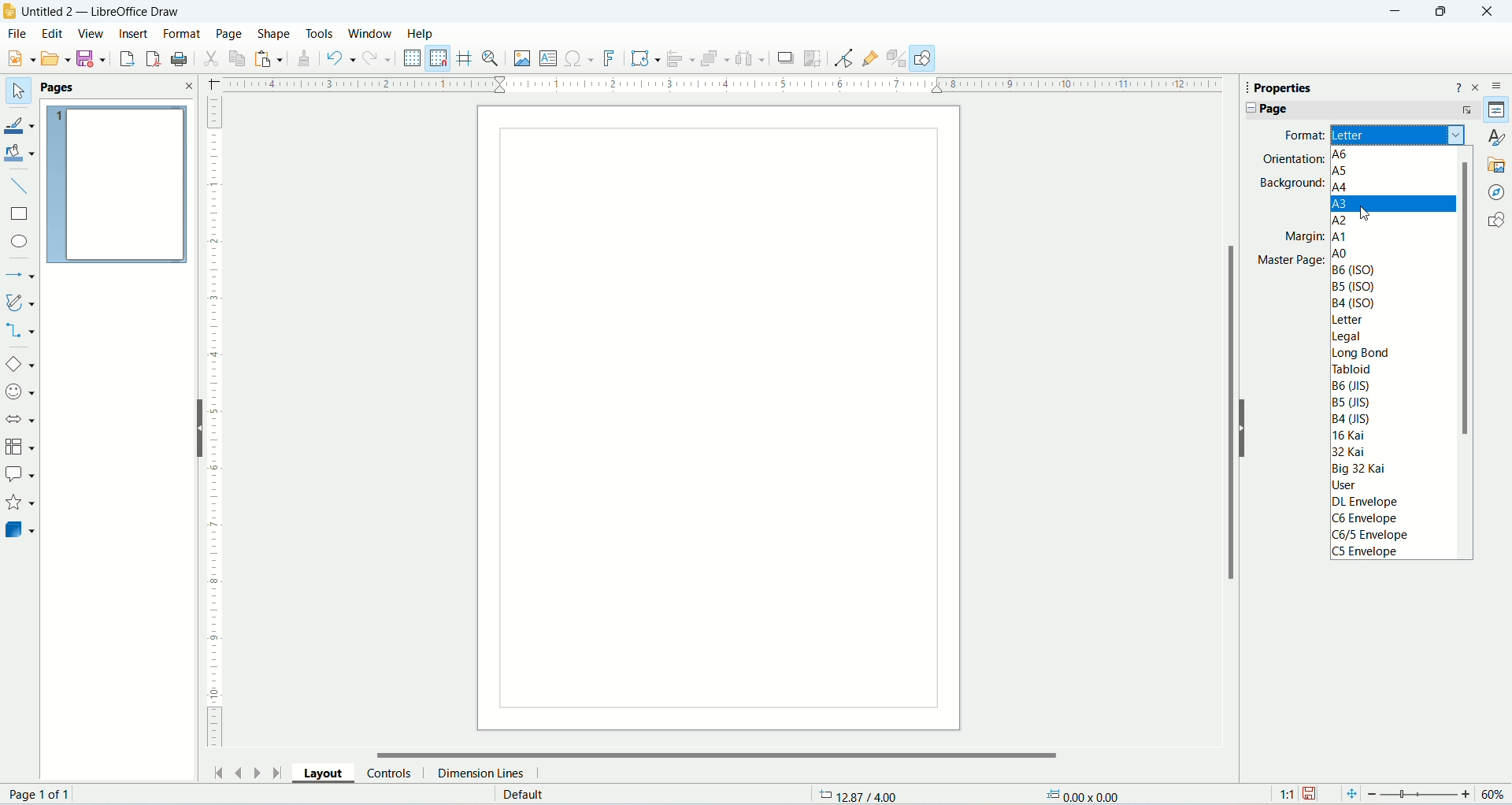  What do you see at coordinates (715, 754) in the screenshot?
I see `horizontal scroll bar` at bounding box center [715, 754].